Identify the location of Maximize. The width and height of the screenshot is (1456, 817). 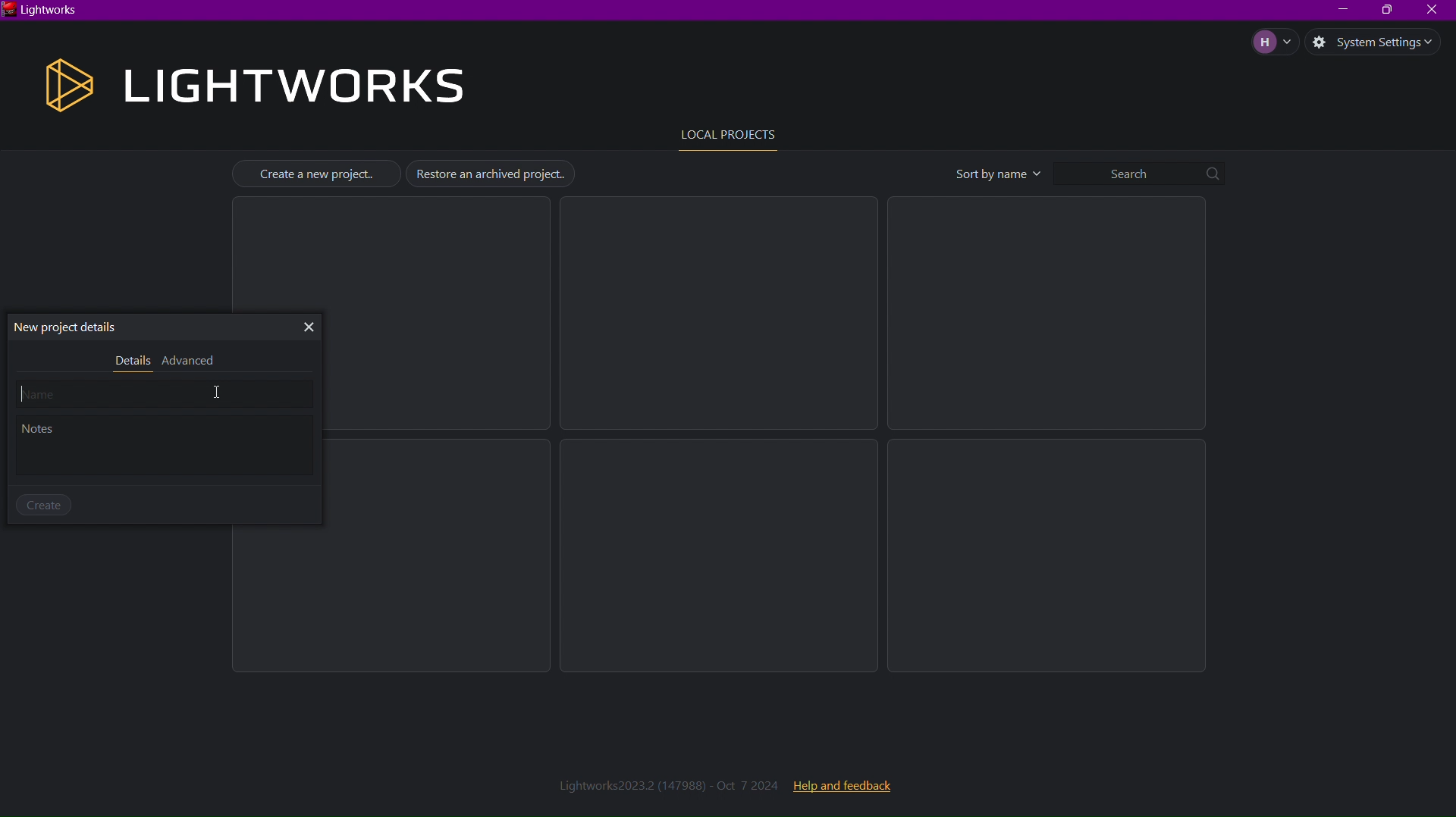
(1385, 11).